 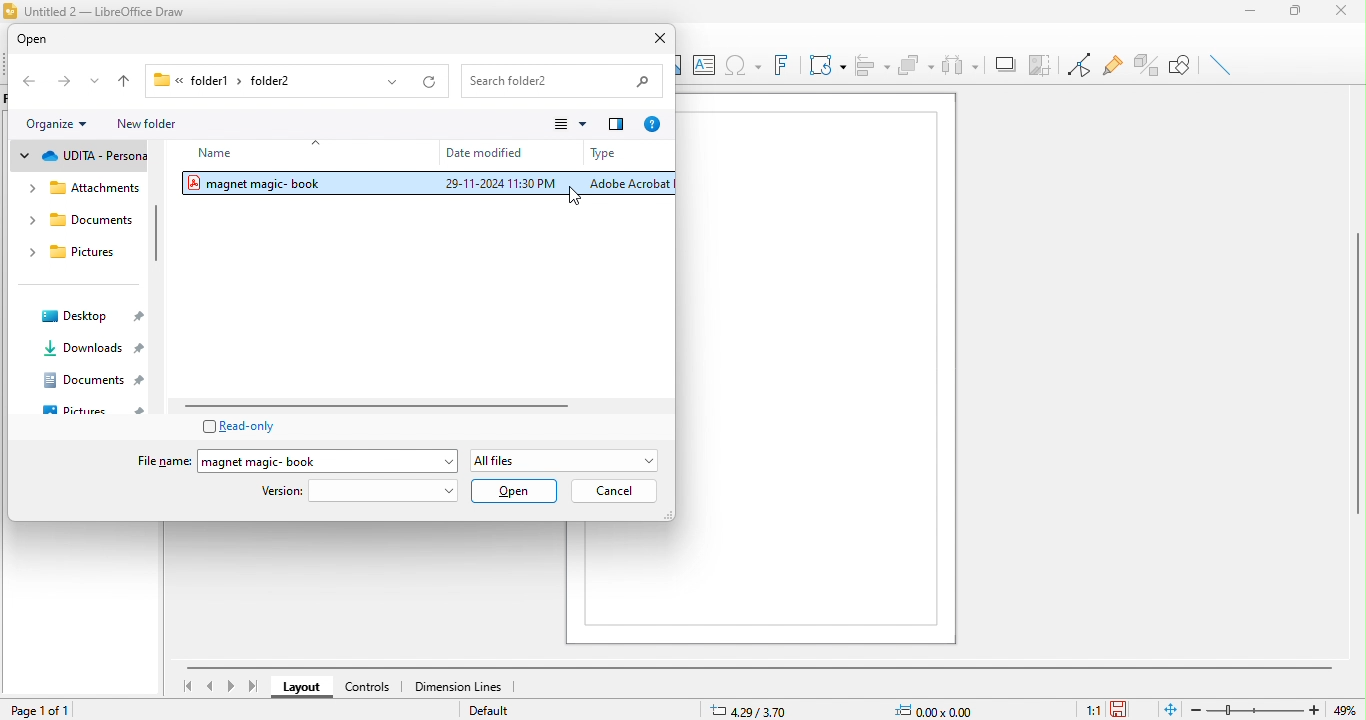 I want to click on arrange, so click(x=918, y=63).